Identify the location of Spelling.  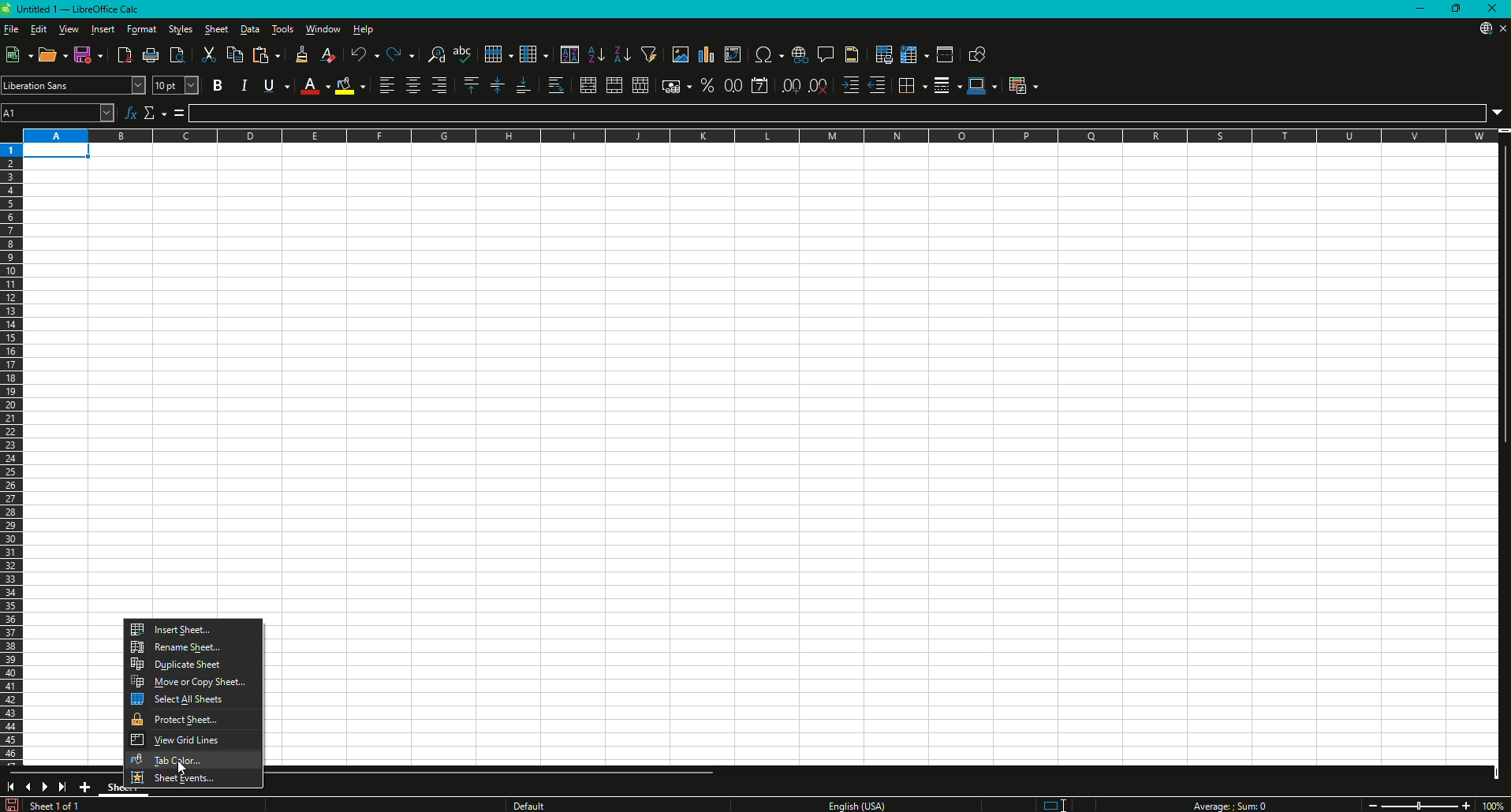
(464, 54).